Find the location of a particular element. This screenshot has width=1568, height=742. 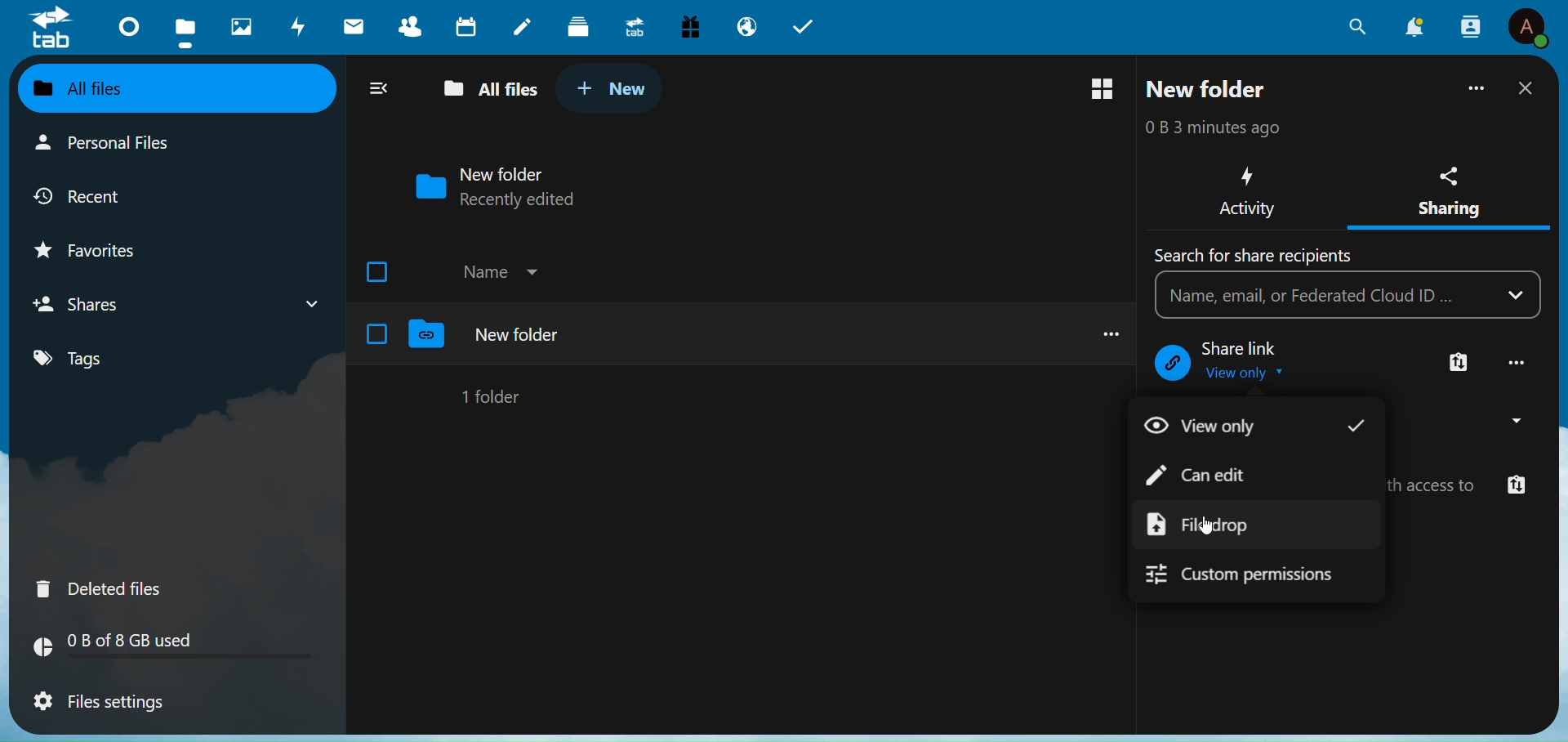

Contacts is located at coordinates (413, 26).